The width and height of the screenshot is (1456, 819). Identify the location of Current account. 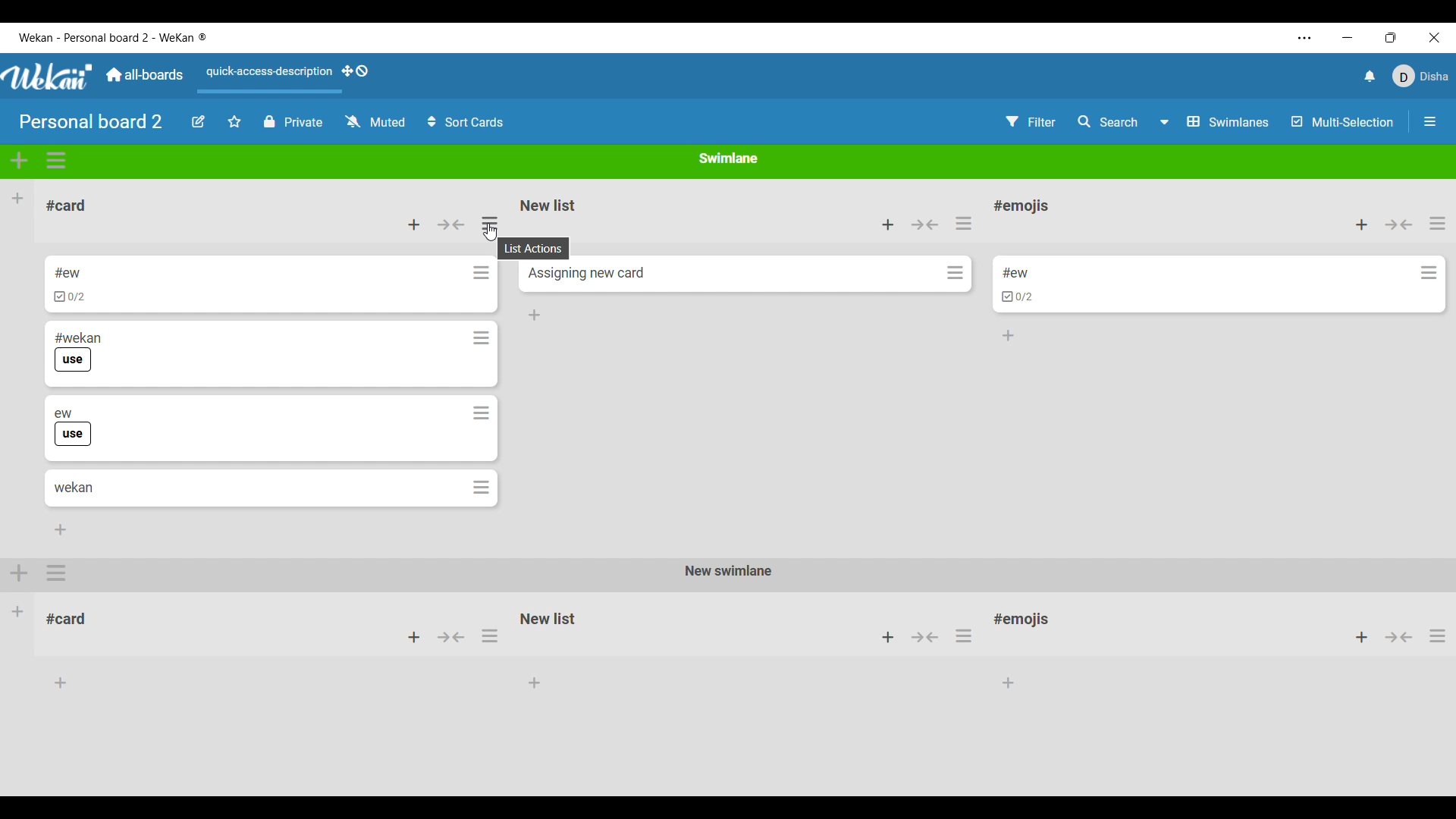
(1421, 75).